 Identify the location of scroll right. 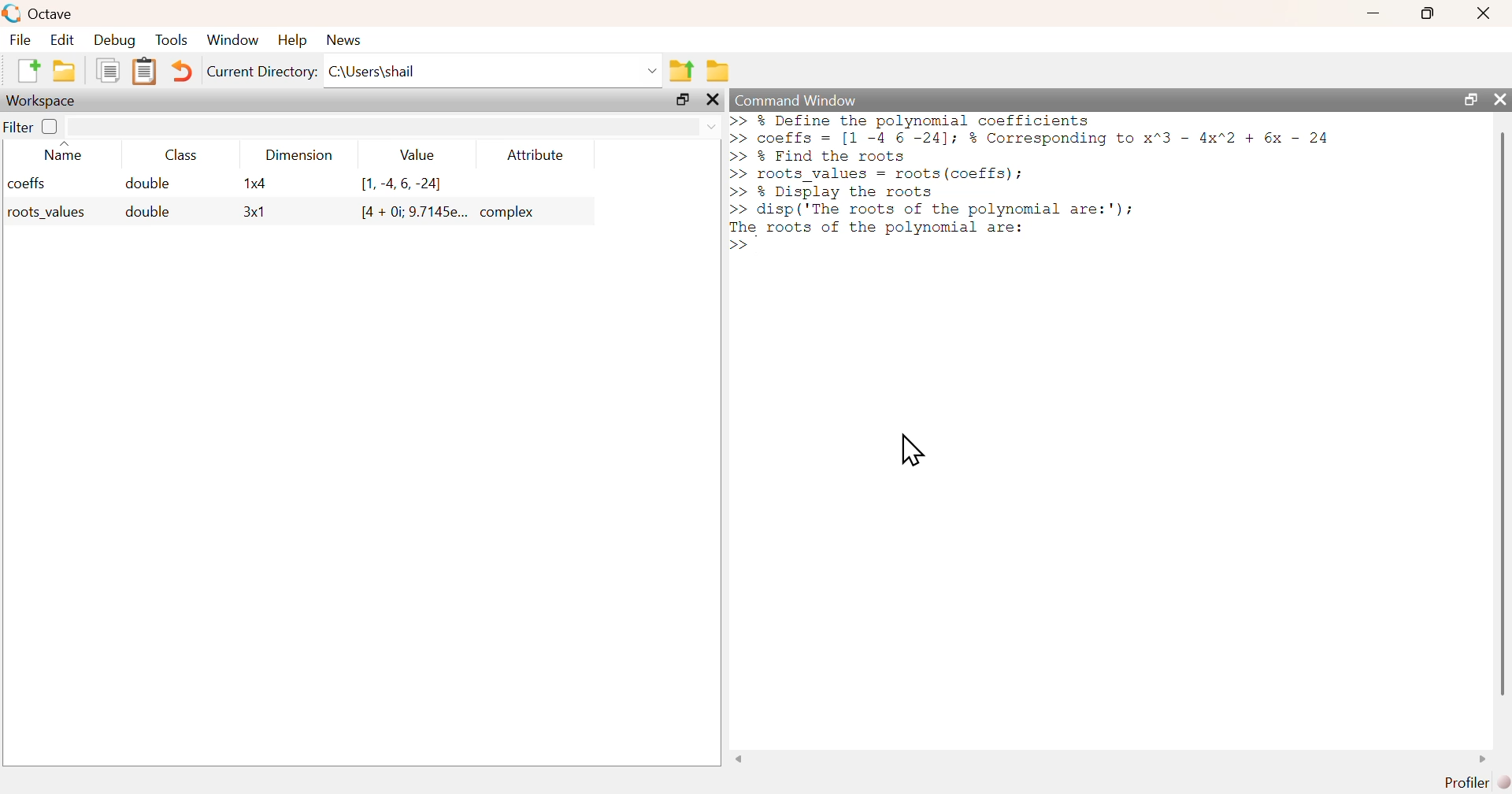
(1486, 759).